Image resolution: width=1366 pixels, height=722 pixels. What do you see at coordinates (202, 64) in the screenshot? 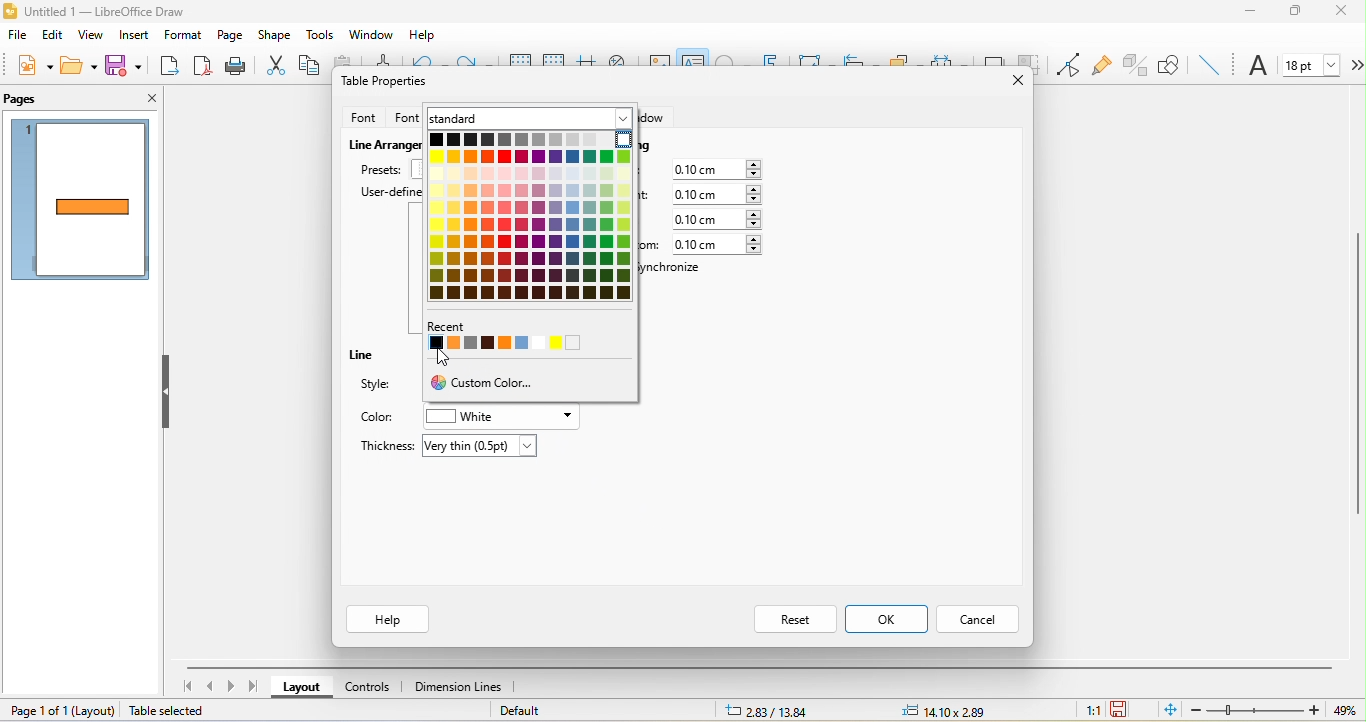
I see `export directly as pdf` at bounding box center [202, 64].